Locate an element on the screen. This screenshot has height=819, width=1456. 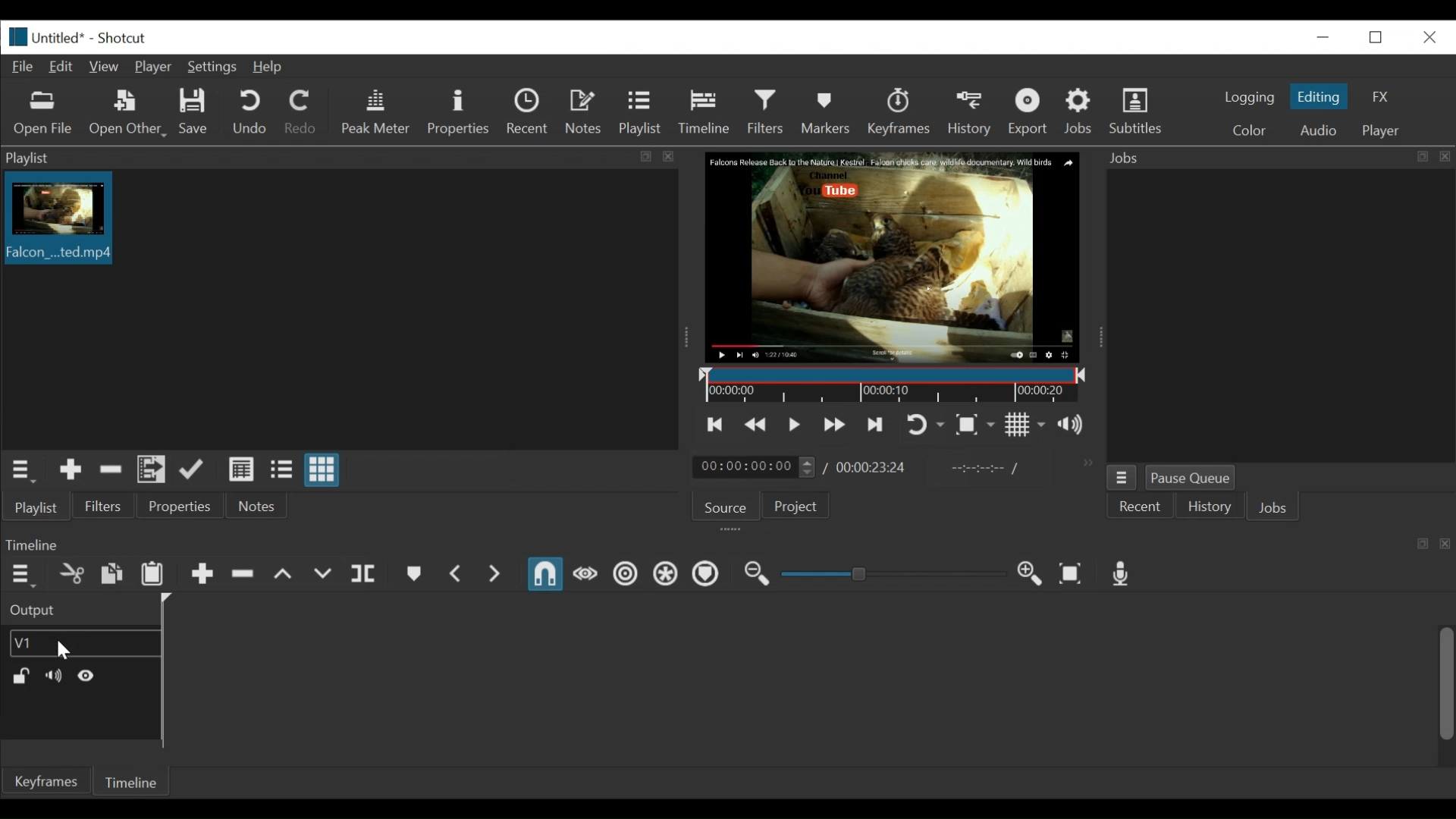
logging is located at coordinates (1250, 99).